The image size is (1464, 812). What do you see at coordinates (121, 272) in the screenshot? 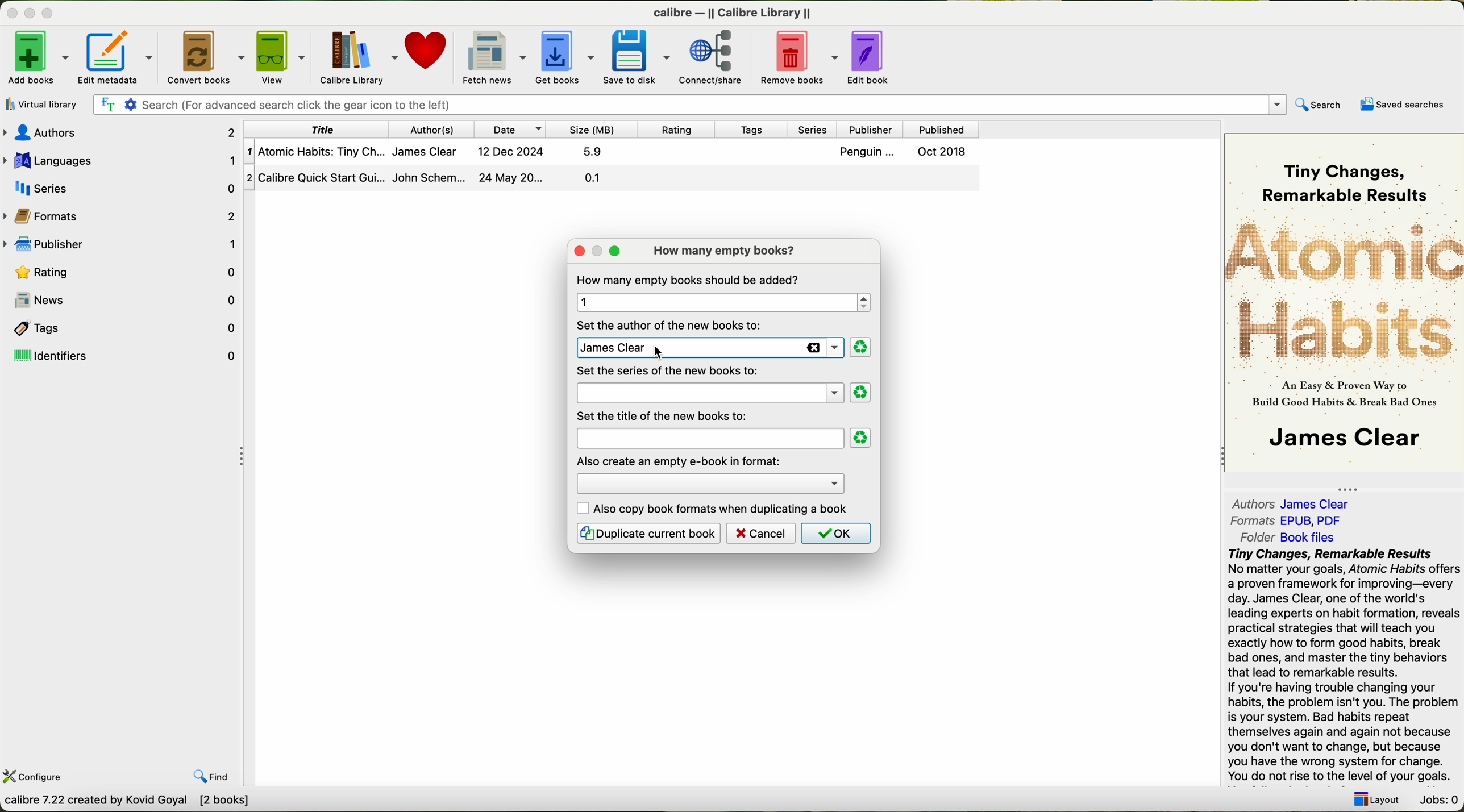
I see `rating` at bounding box center [121, 272].